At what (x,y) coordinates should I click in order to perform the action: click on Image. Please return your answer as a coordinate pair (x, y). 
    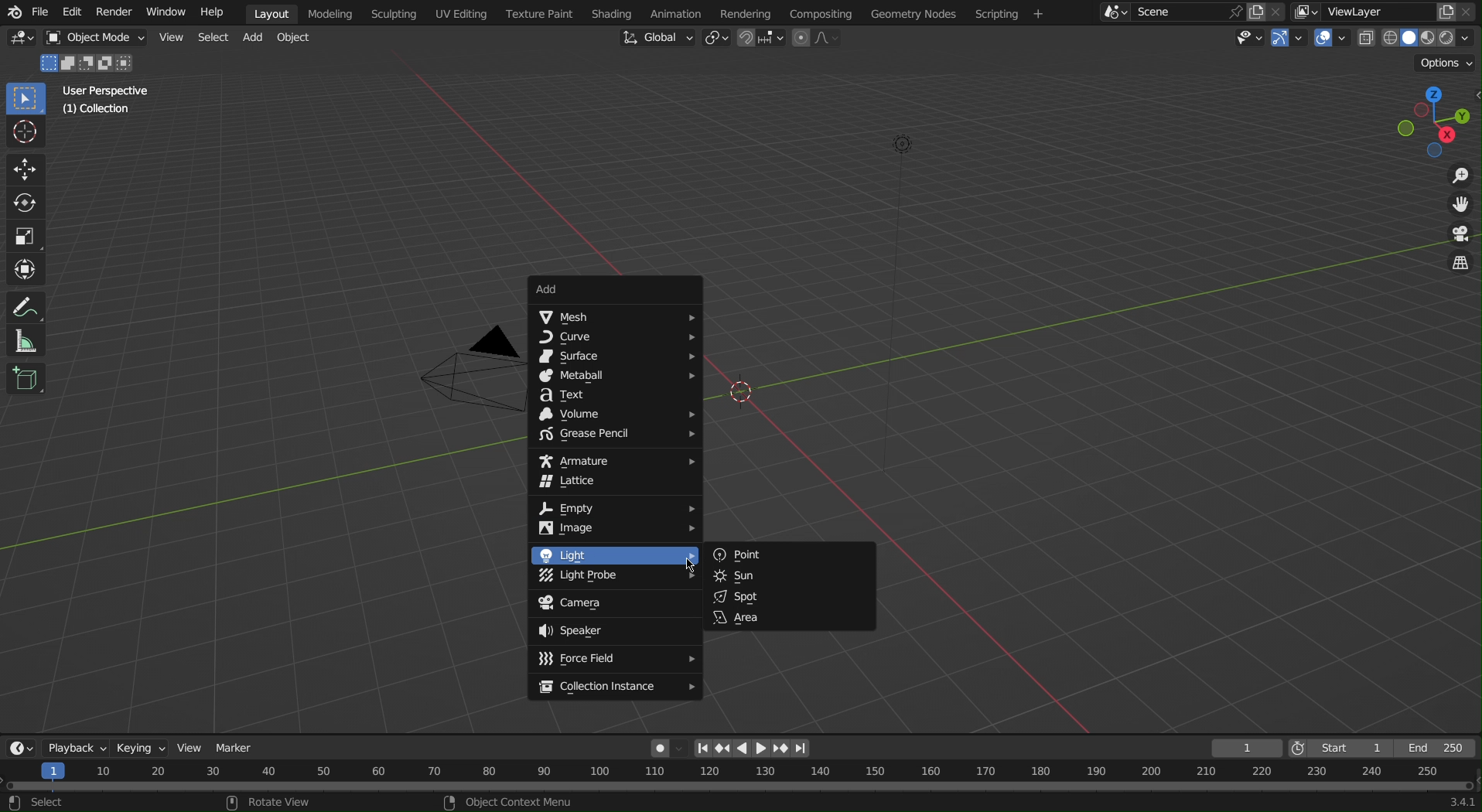
    Looking at the image, I should click on (616, 530).